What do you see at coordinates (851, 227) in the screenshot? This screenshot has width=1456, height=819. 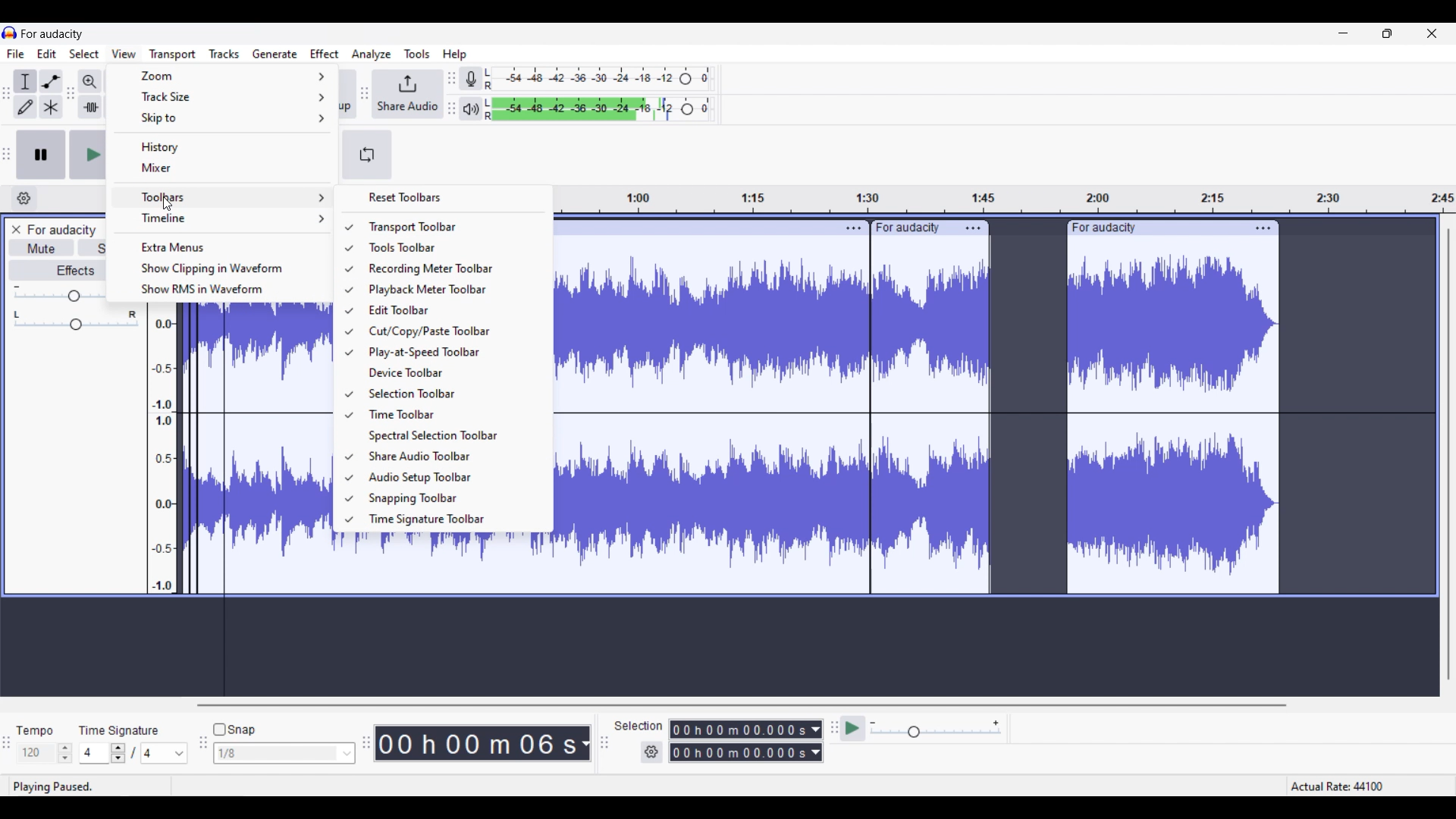 I see `track options` at bounding box center [851, 227].